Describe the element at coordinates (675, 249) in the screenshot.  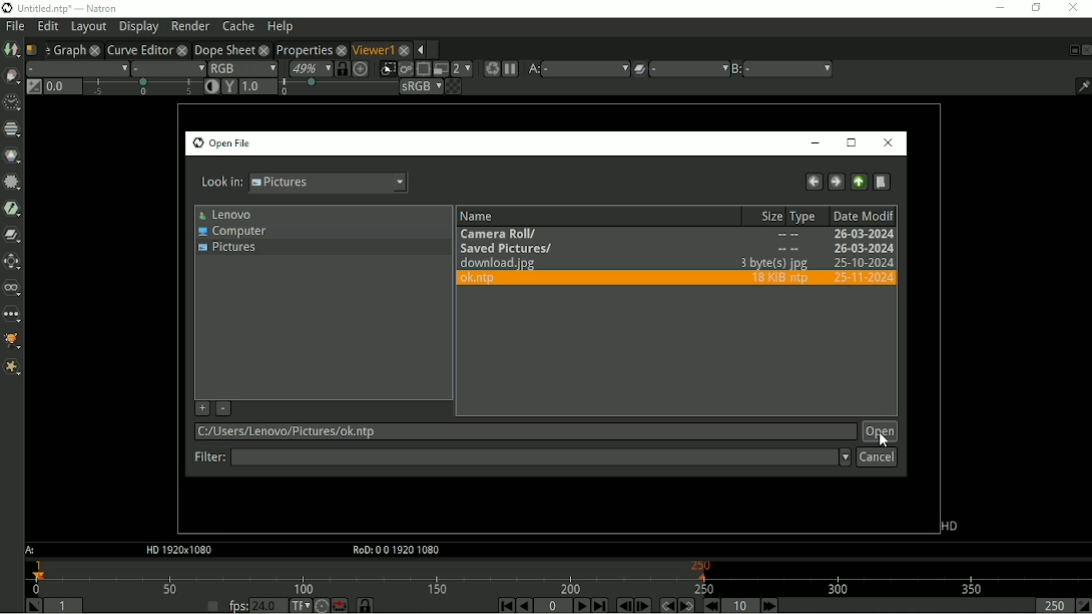
I see `Saved Pictures/` at that location.